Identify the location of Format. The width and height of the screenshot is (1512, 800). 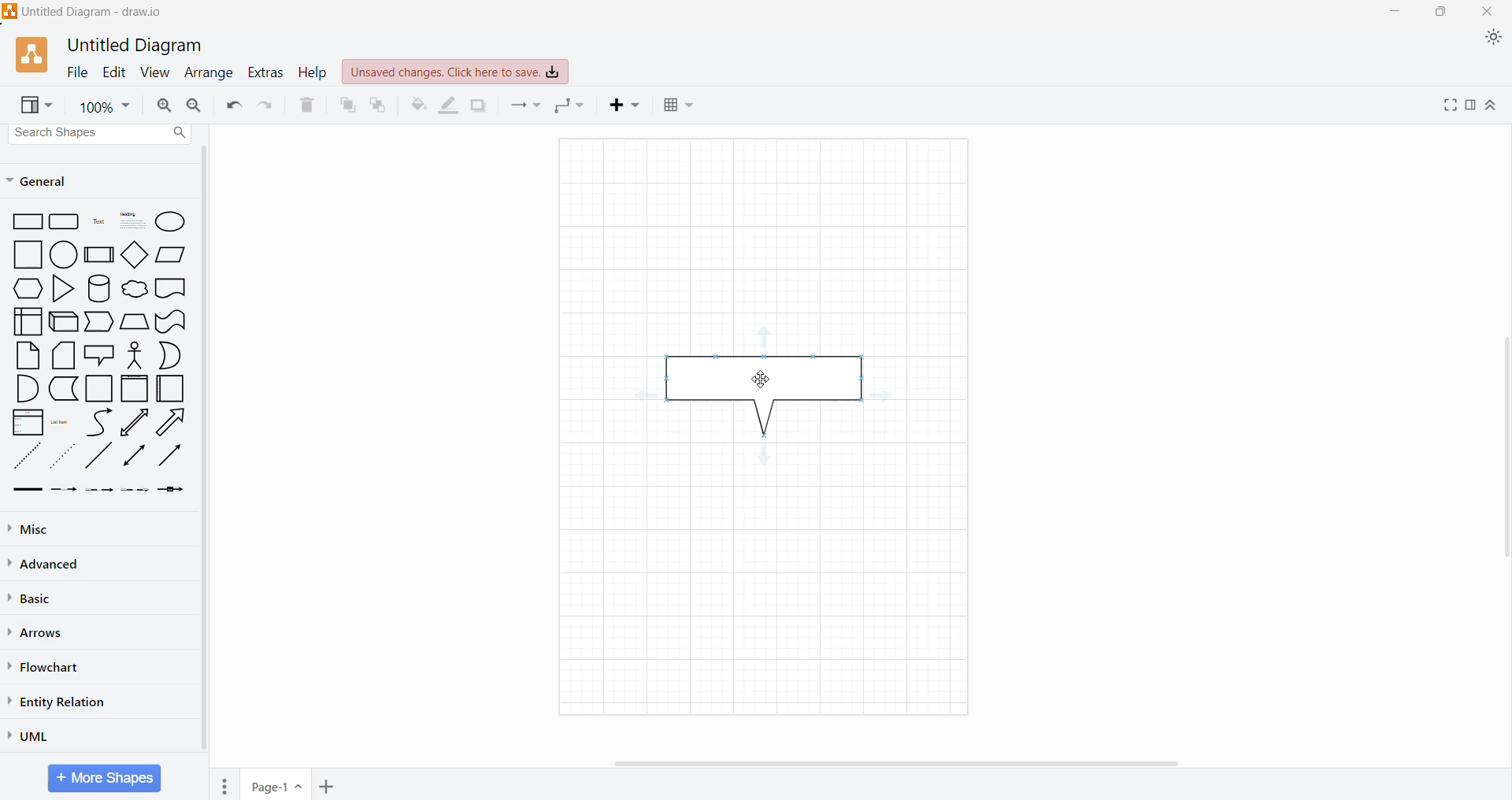
(1470, 106).